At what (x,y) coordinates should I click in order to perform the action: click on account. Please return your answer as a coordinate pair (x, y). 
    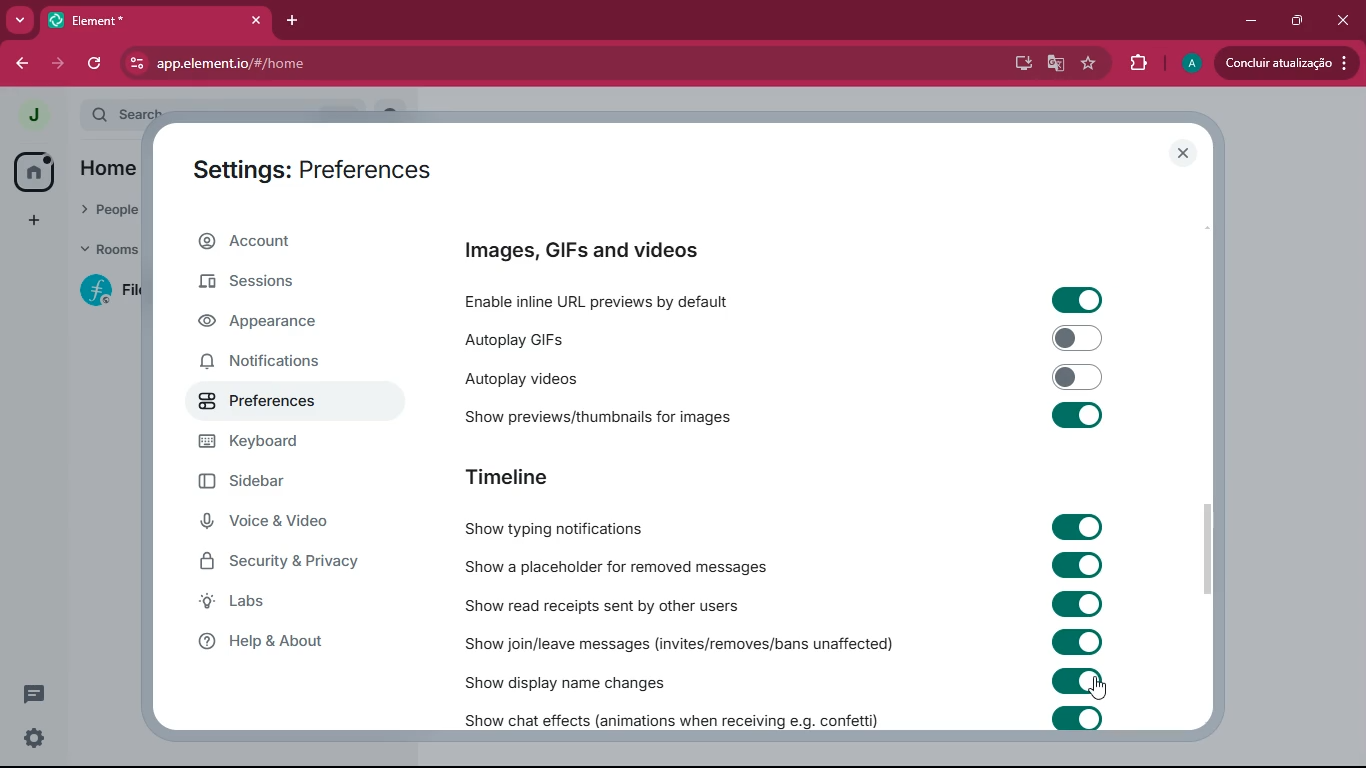
    Looking at the image, I should click on (285, 242).